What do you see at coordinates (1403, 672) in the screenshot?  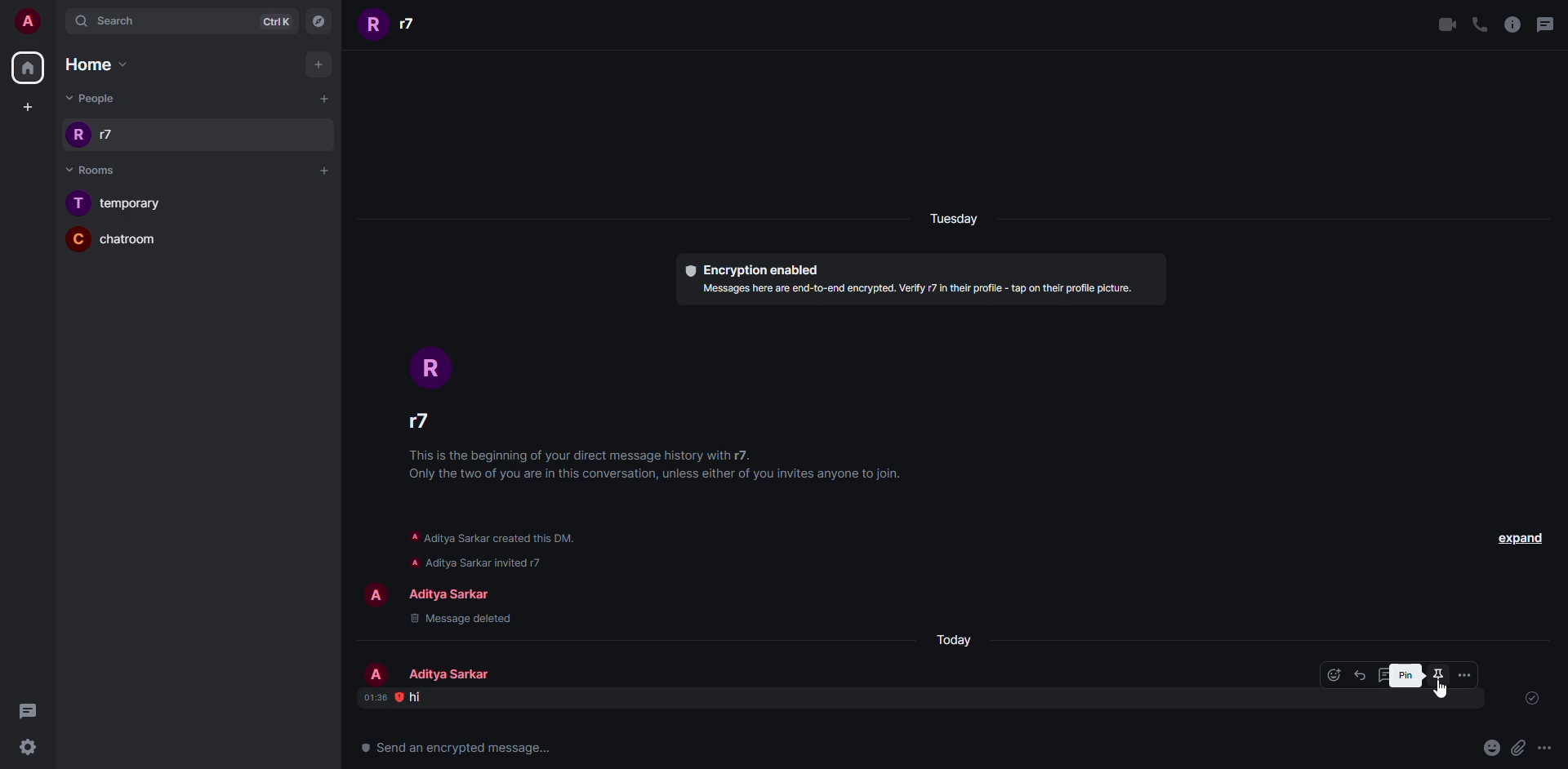 I see `pin` at bounding box center [1403, 672].